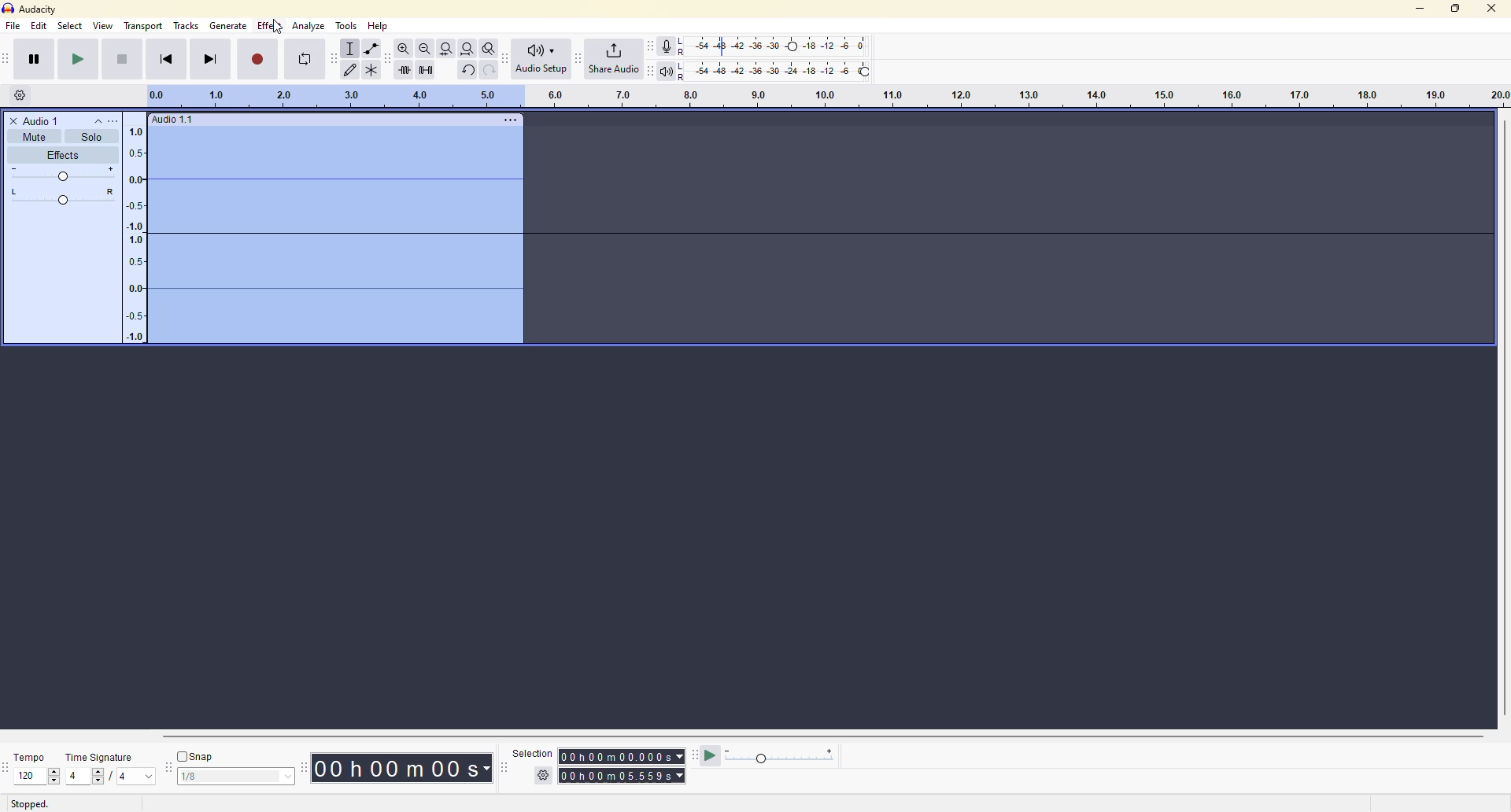 Image resolution: width=1511 pixels, height=812 pixels. What do you see at coordinates (74, 776) in the screenshot?
I see `4` at bounding box center [74, 776].